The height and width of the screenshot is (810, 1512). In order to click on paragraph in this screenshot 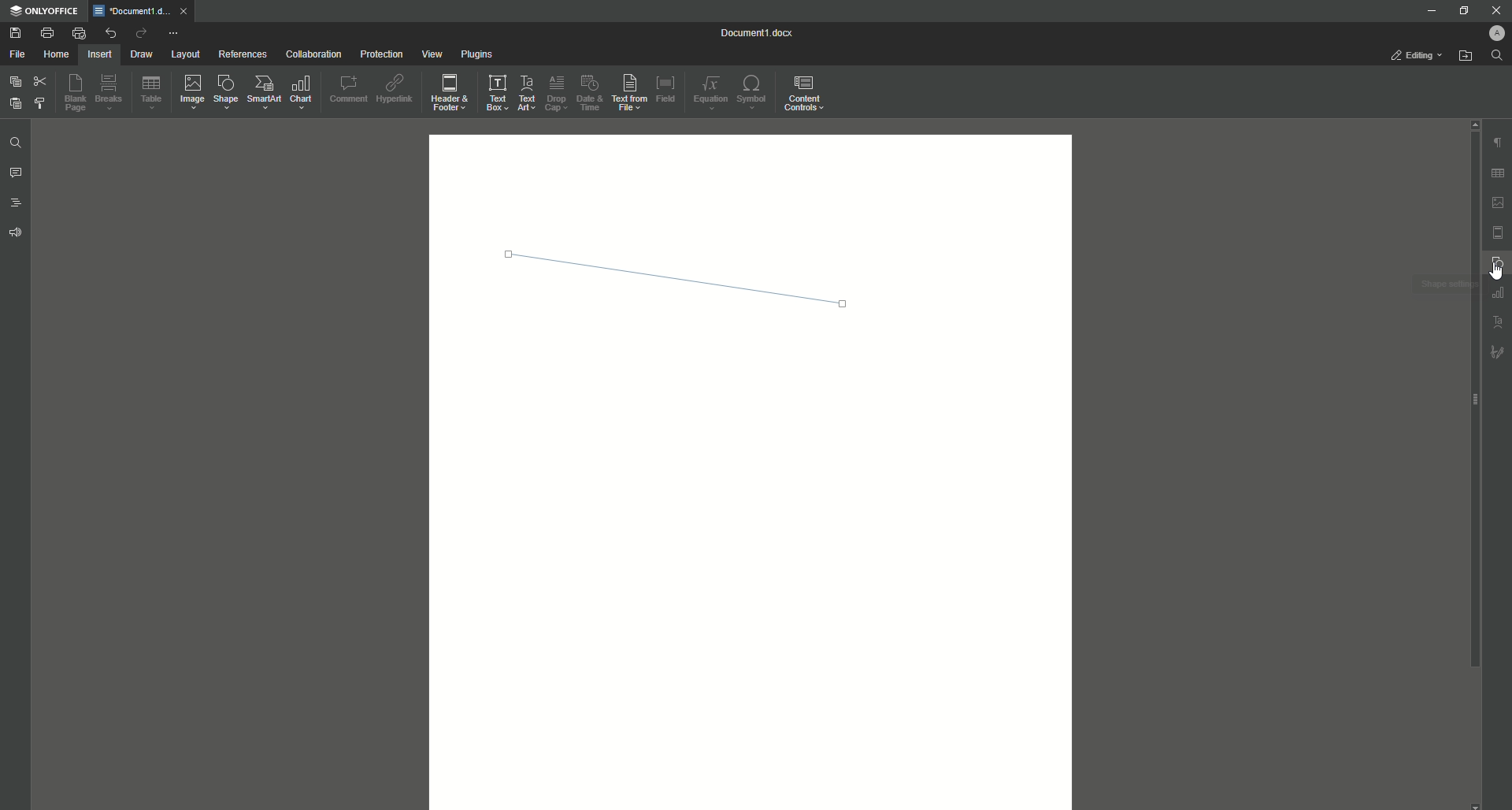, I will do `click(1496, 138)`.